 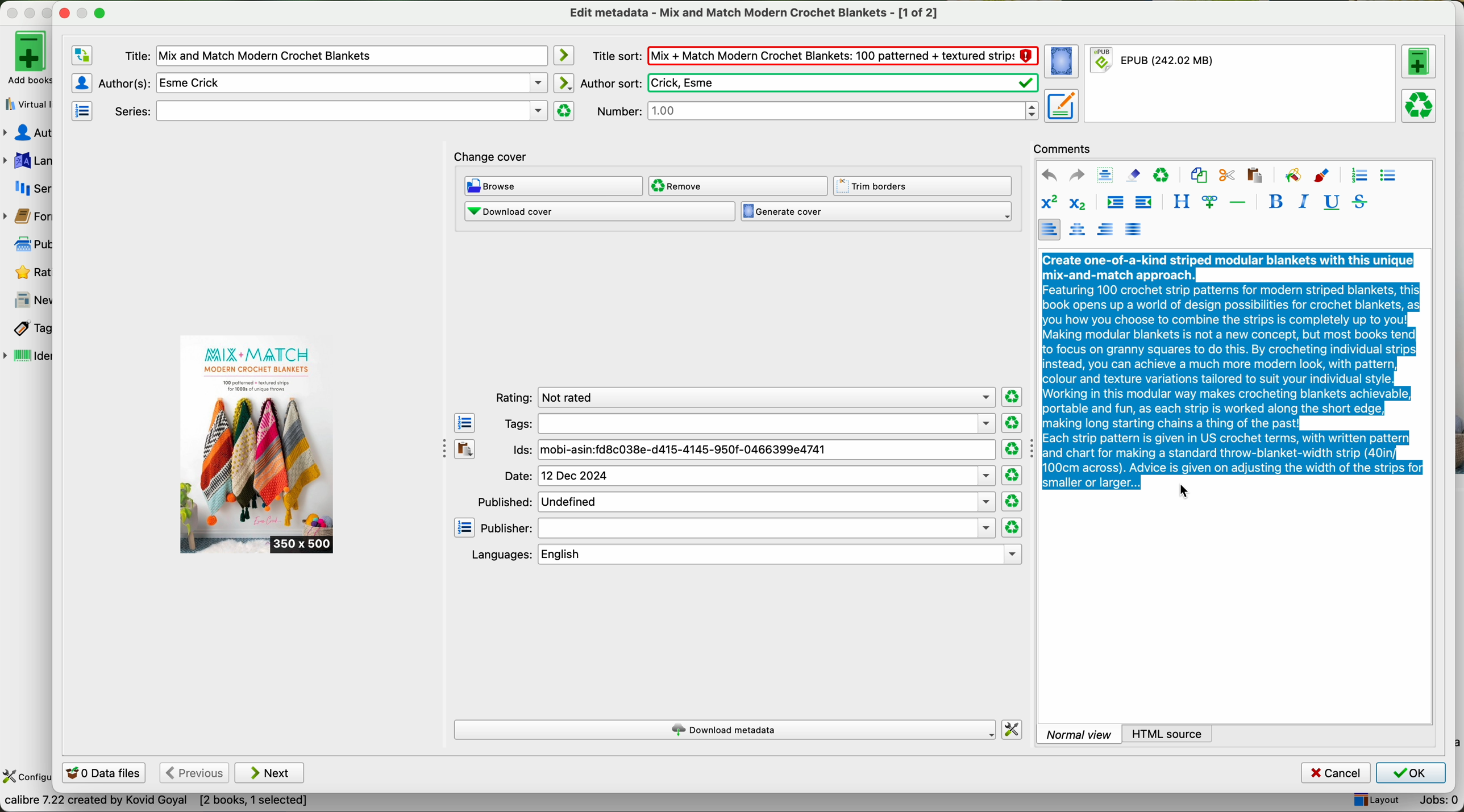 I want to click on configure, so click(x=27, y=777).